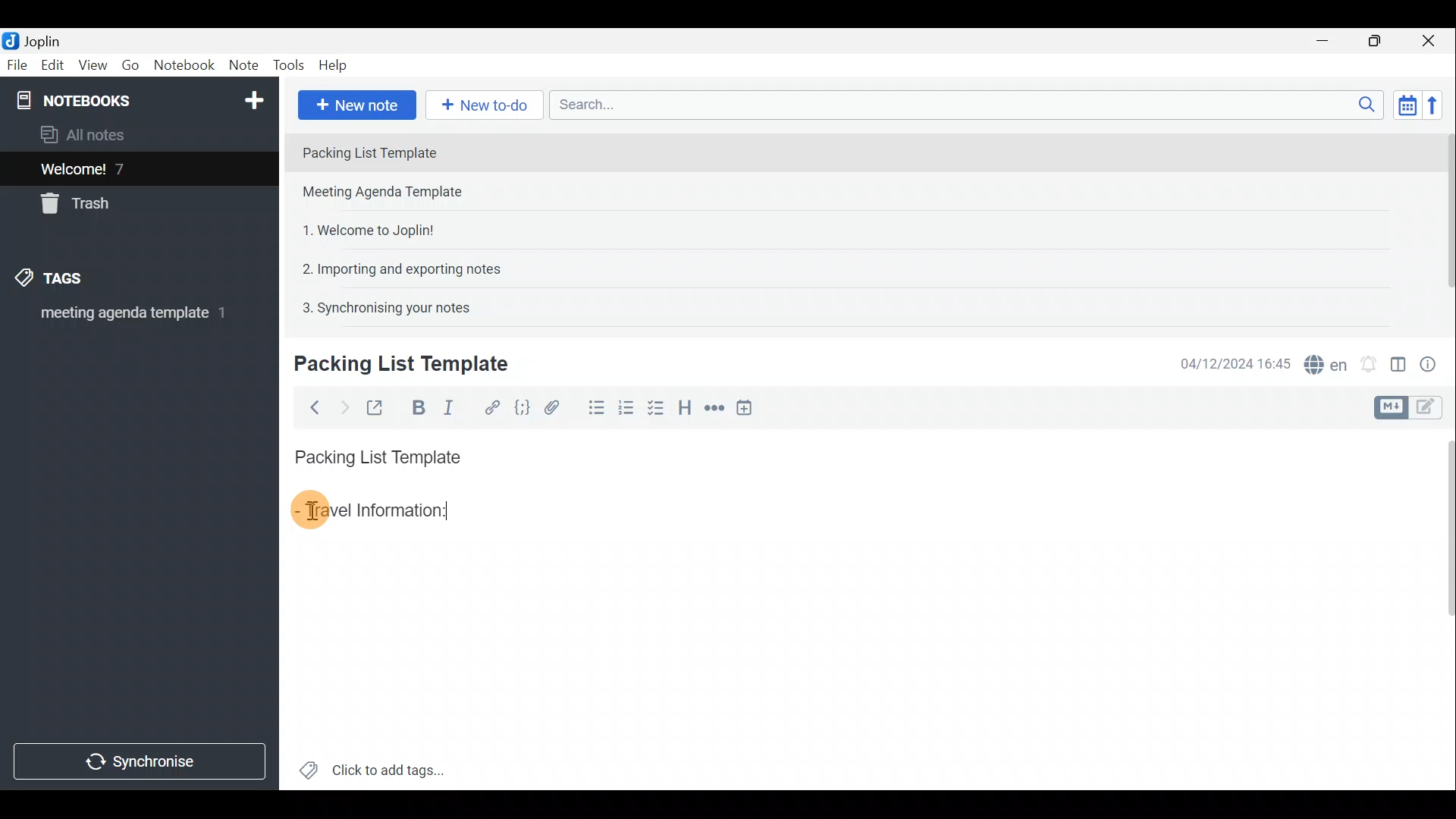  What do you see at coordinates (15, 64) in the screenshot?
I see `File` at bounding box center [15, 64].